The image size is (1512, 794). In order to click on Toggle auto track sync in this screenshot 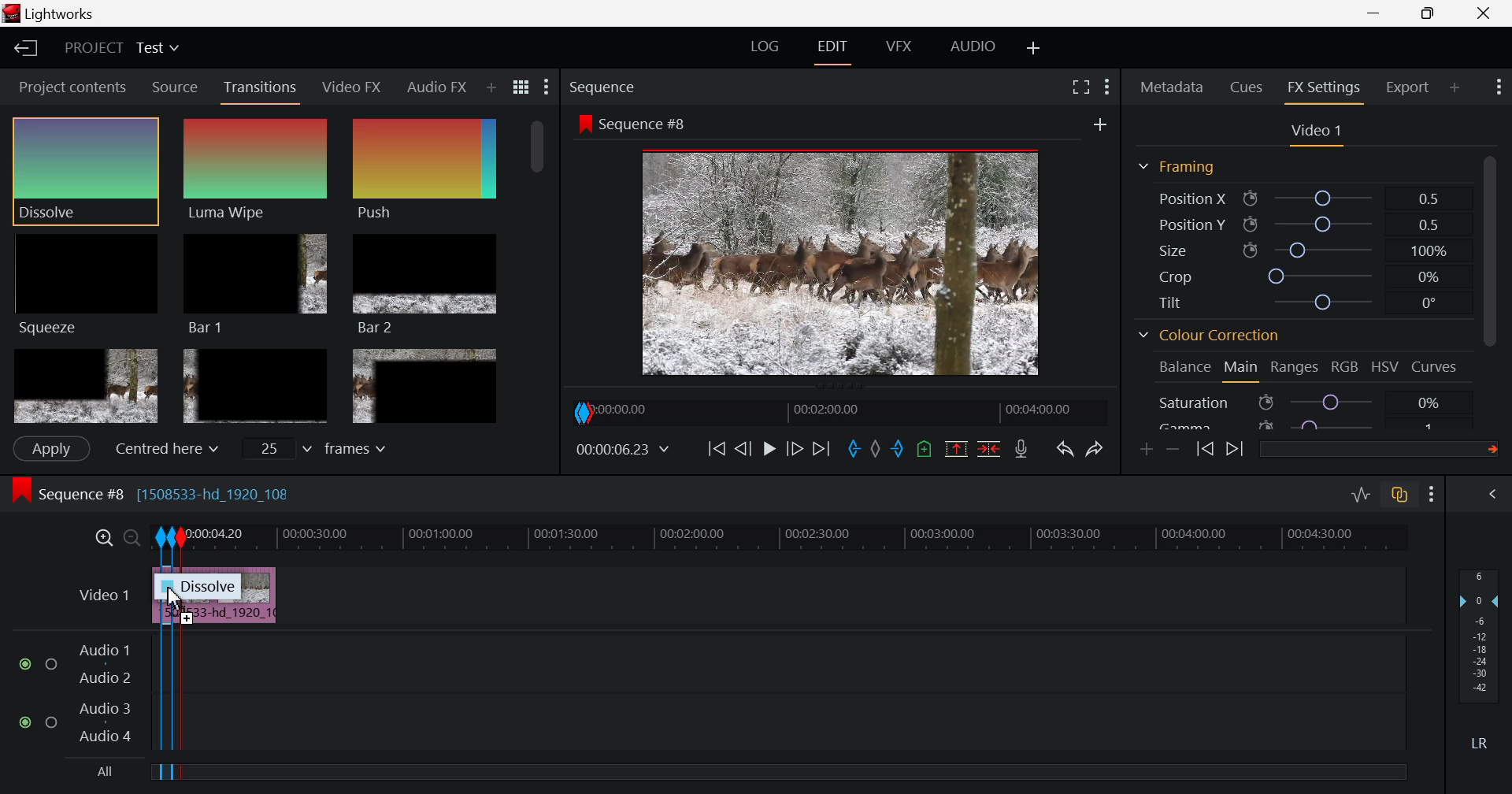, I will do `click(1400, 495)`.